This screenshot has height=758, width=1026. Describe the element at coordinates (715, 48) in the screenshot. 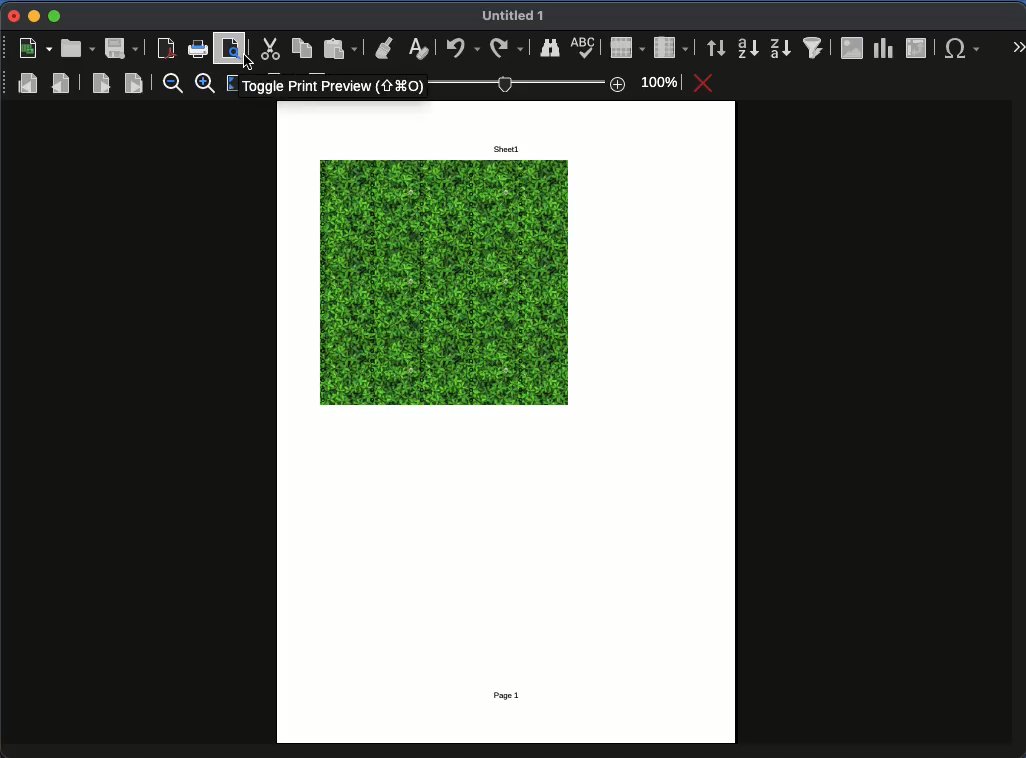

I see `sort` at that location.